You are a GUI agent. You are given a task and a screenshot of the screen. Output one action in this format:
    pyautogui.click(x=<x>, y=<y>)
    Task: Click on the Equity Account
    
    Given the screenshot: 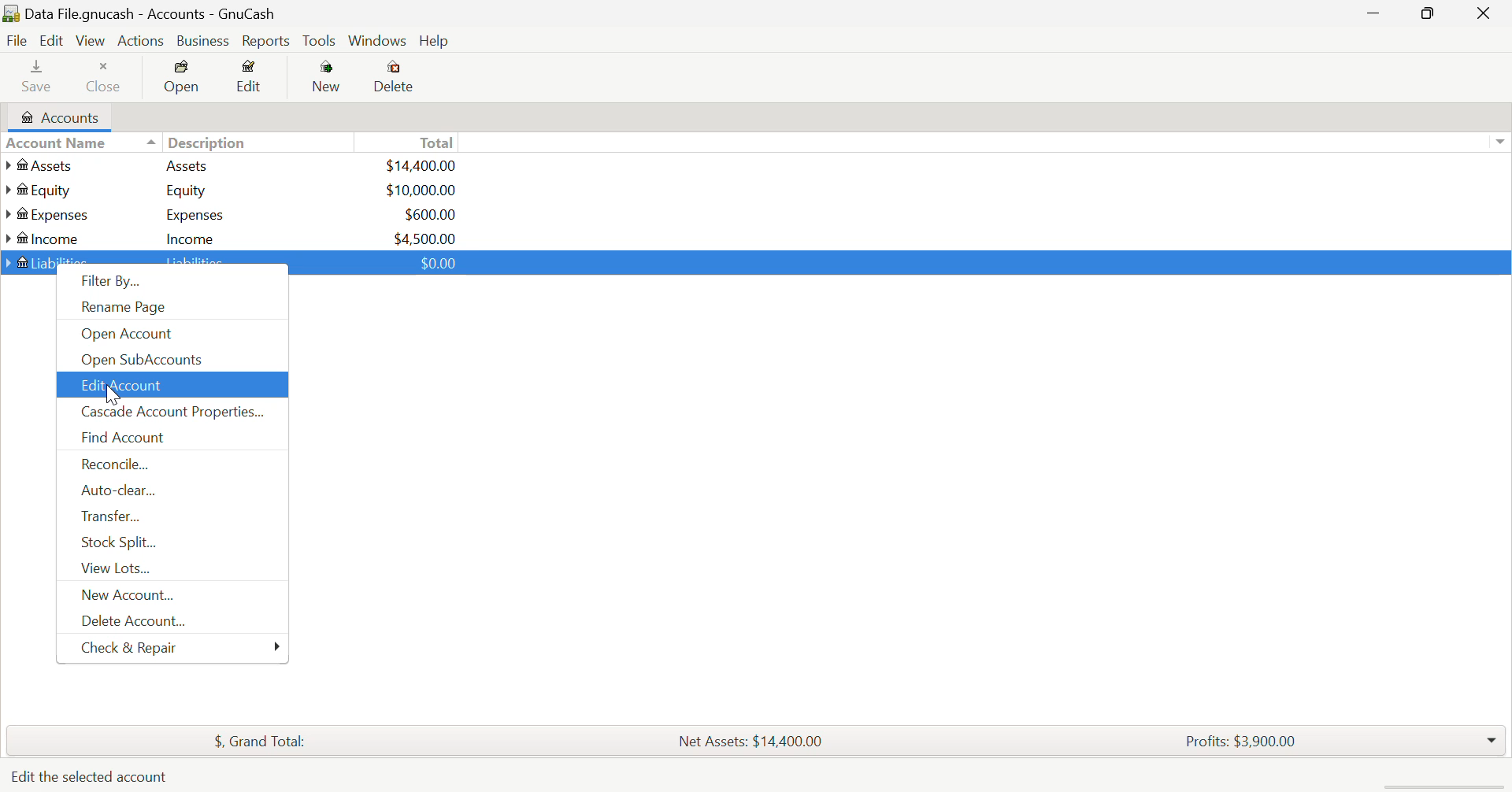 What is the action you would take?
    pyautogui.click(x=43, y=187)
    